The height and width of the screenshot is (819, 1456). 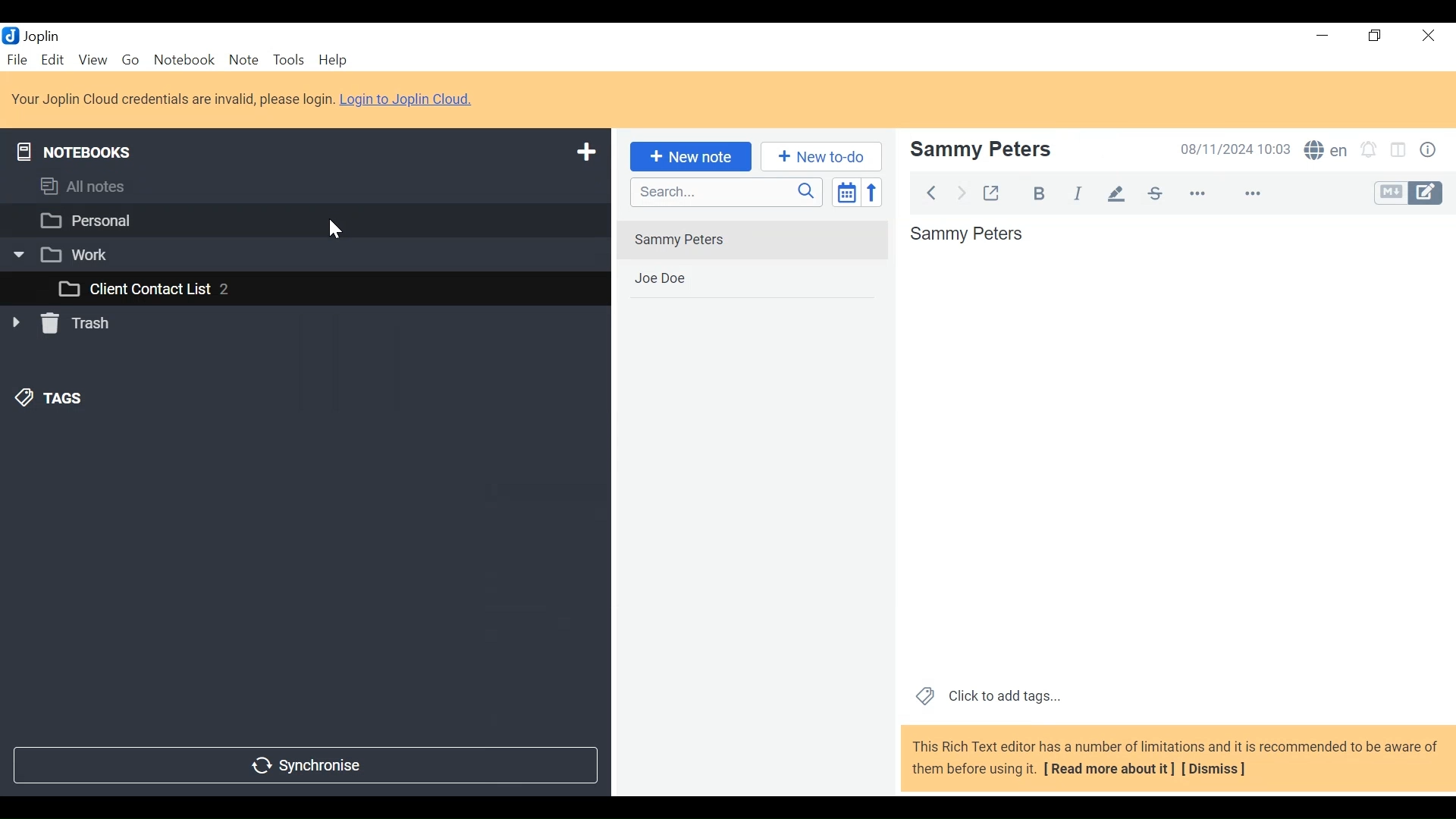 What do you see at coordinates (752, 240) in the screenshot?
I see `Sammy Peters` at bounding box center [752, 240].